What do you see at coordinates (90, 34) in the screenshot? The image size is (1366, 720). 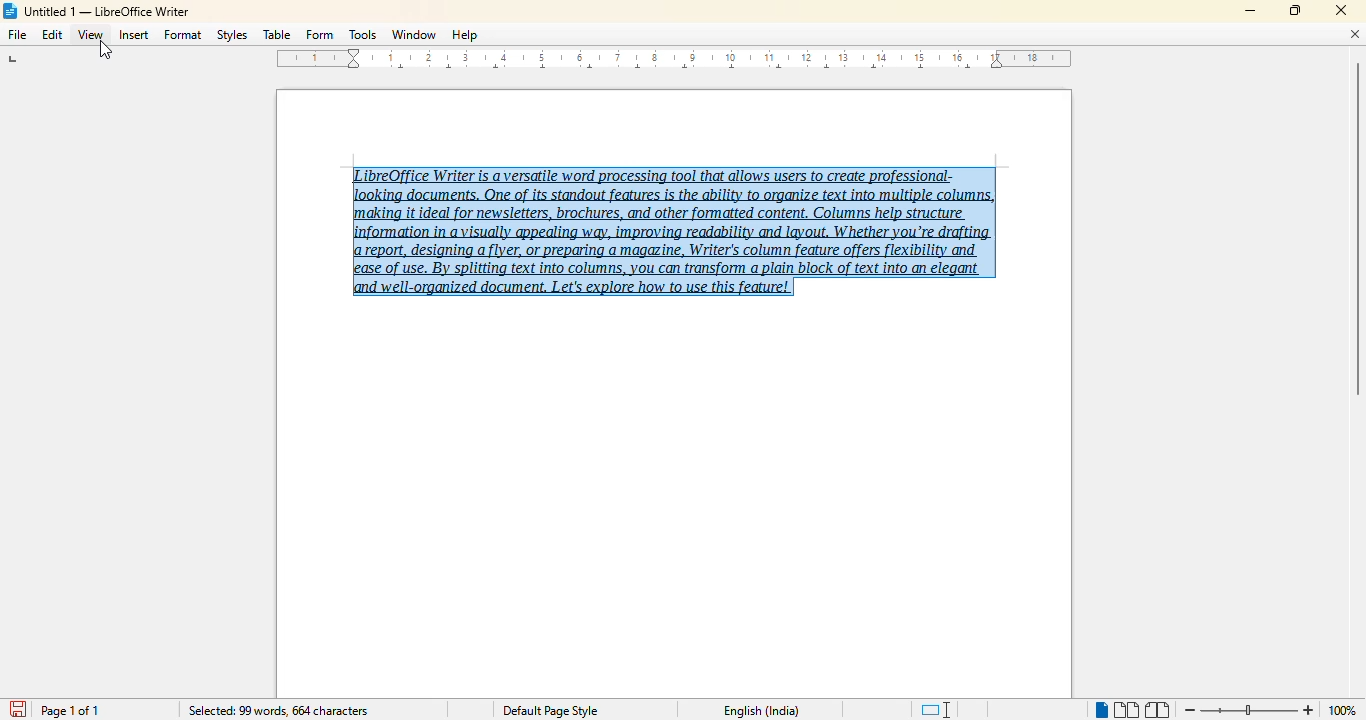 I see `view` at bounding box center [90, 34].